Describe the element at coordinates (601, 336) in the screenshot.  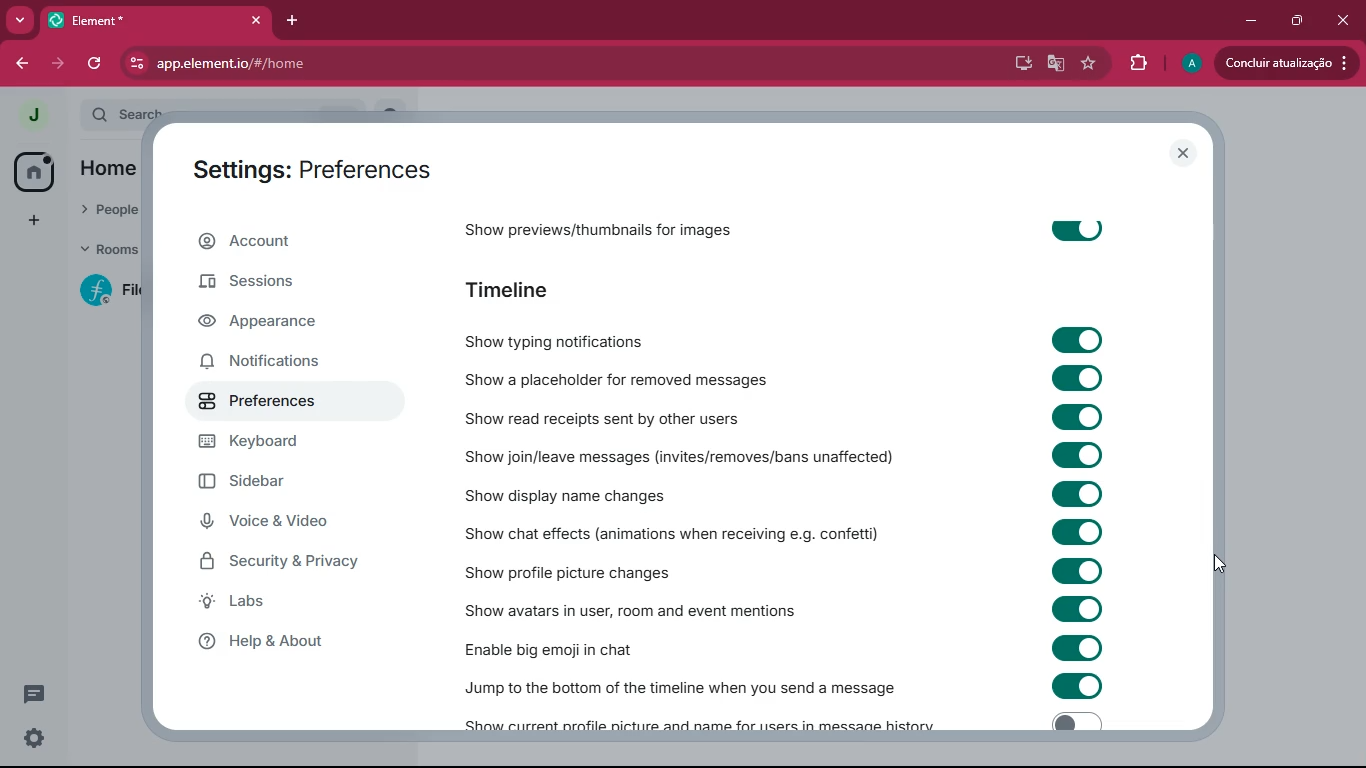
I see `show typing notifications` at that location.